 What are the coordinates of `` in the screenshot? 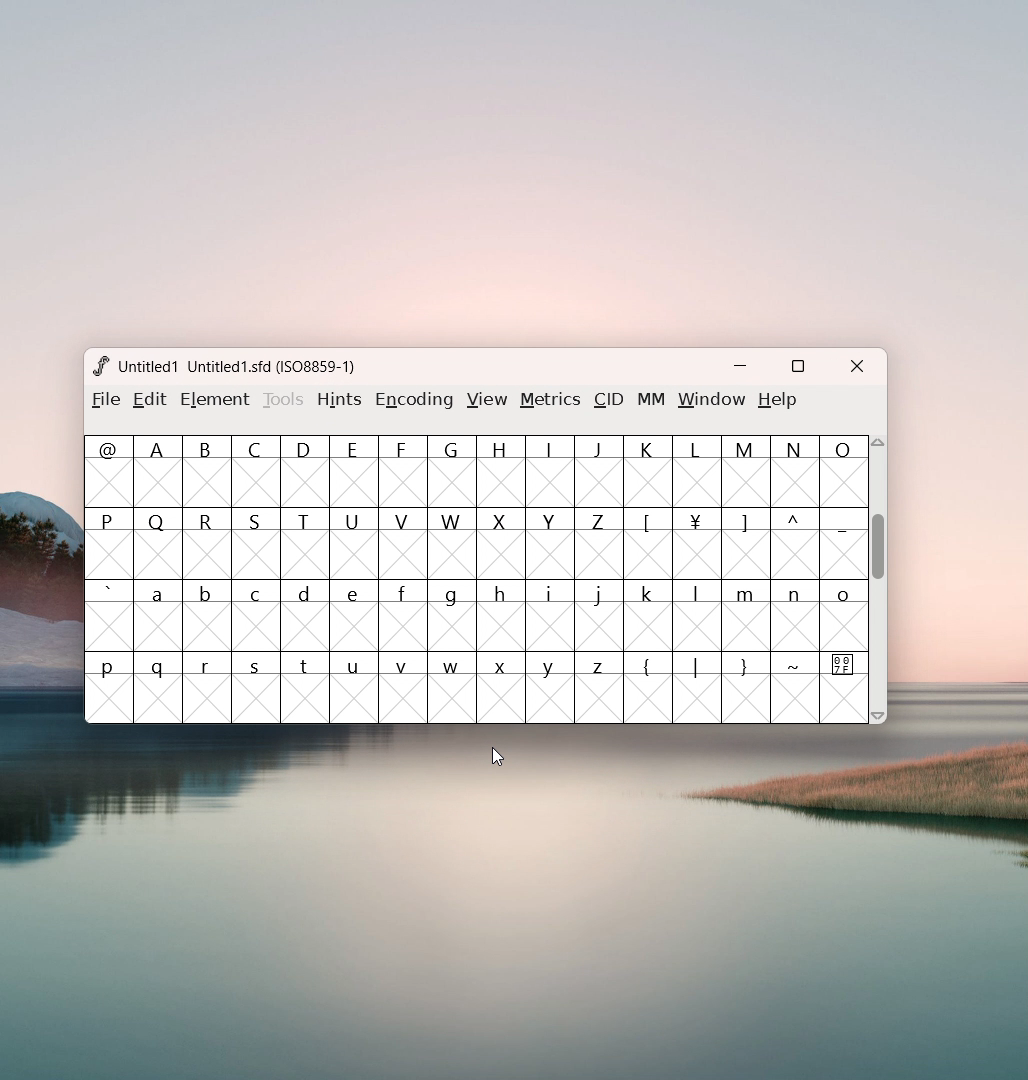 It's located at (306, 471).